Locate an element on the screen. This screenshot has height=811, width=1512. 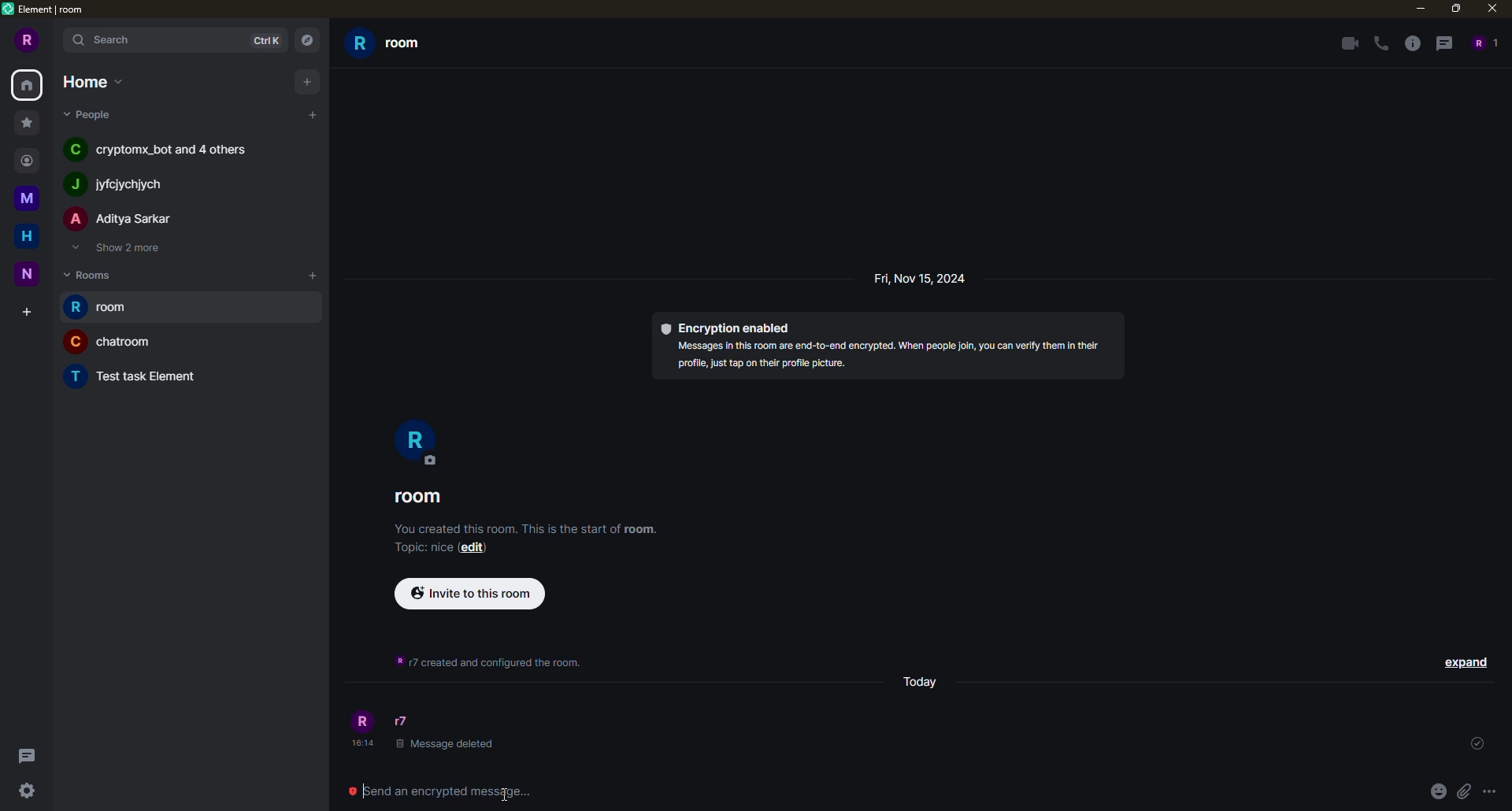
room is located at coordinates (422, 498).